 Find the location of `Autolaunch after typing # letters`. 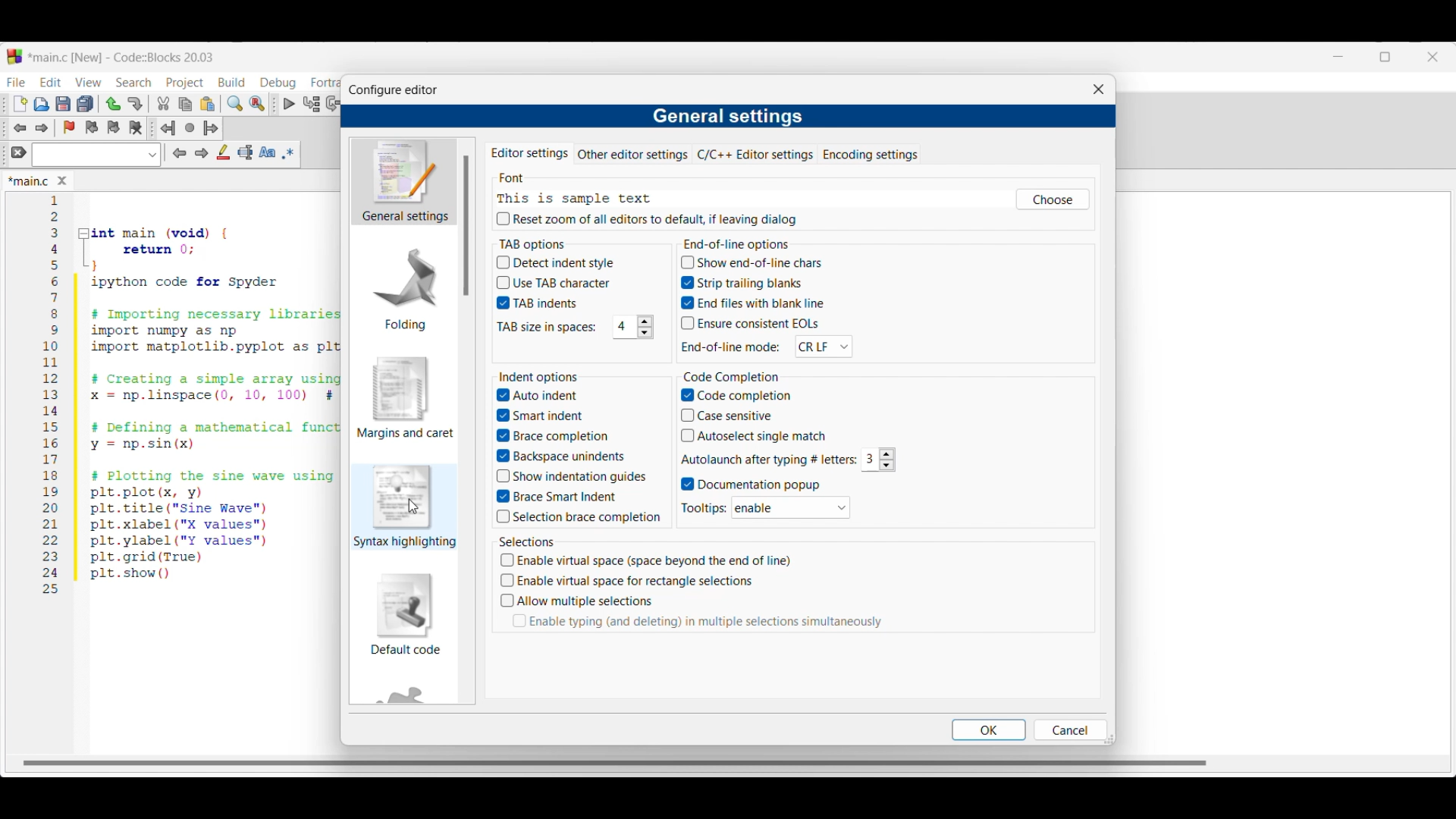

Autolaunch after typing # letters is located at coordinates (765, 460).